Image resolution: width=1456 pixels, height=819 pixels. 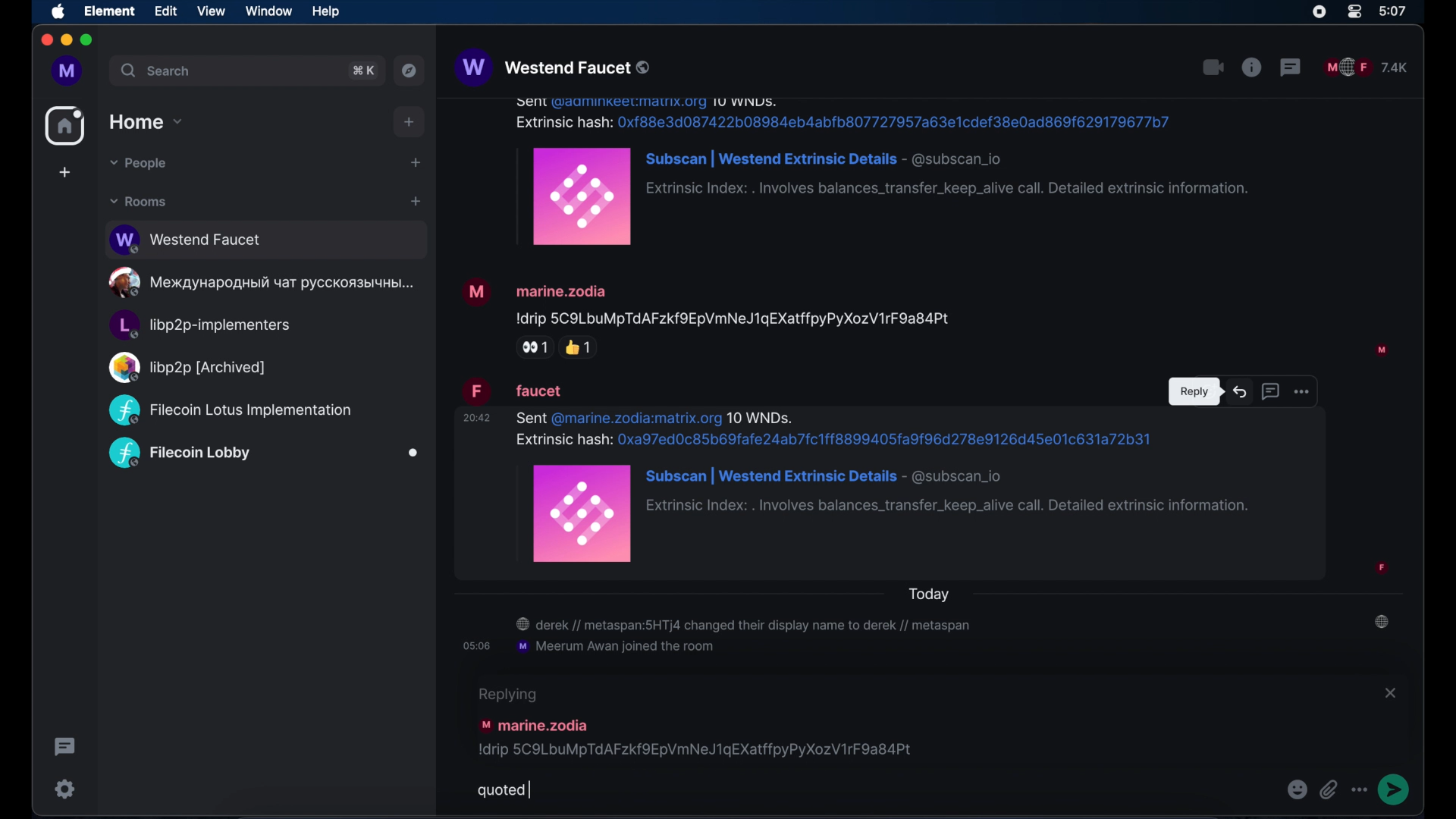 What do you see at coordinates (230, 410) in the screenshot?
I see `public room` at bounding box center [230, 410].